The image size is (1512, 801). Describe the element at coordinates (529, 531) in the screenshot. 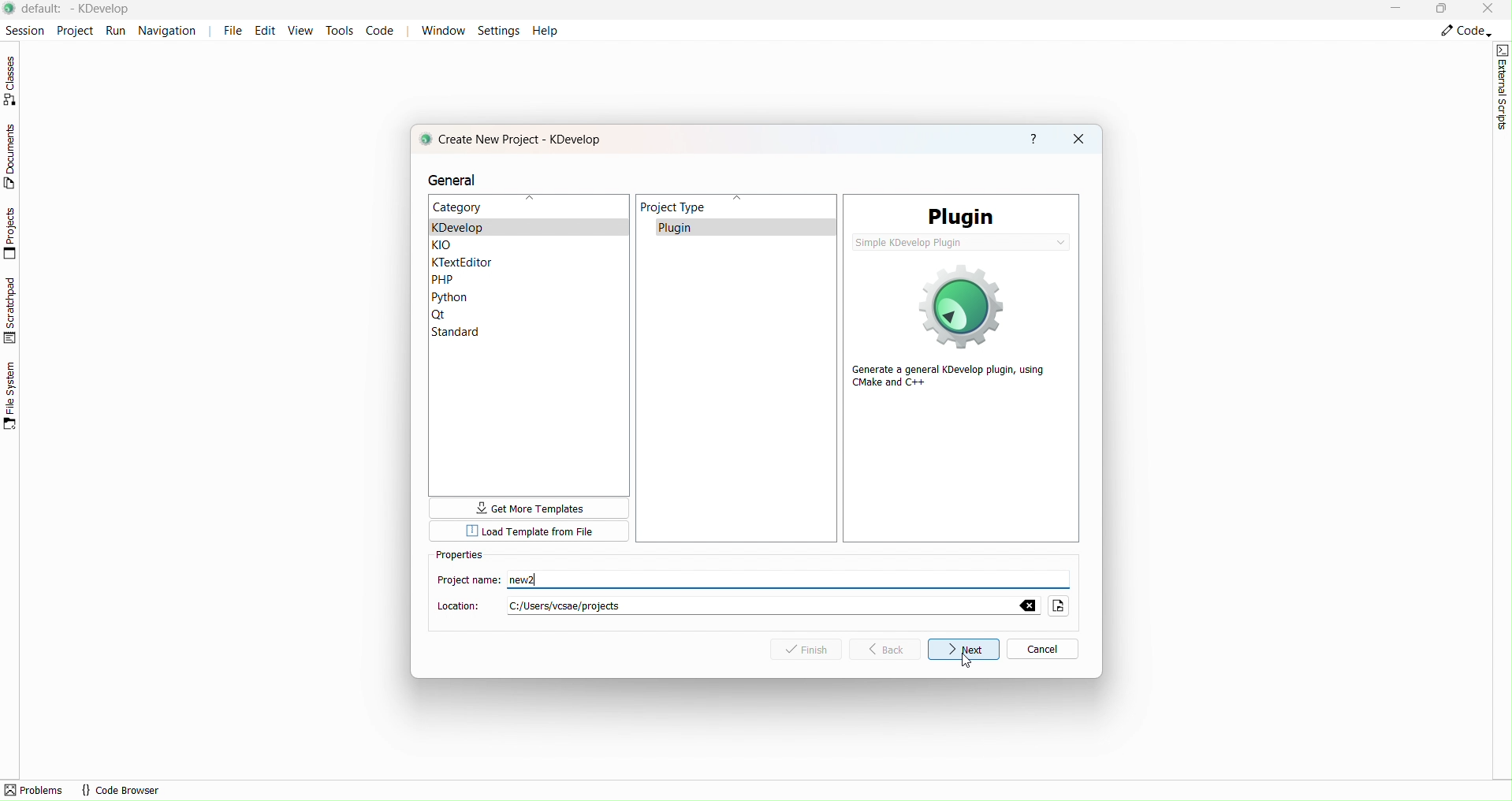

I see `Template from file` at that location.